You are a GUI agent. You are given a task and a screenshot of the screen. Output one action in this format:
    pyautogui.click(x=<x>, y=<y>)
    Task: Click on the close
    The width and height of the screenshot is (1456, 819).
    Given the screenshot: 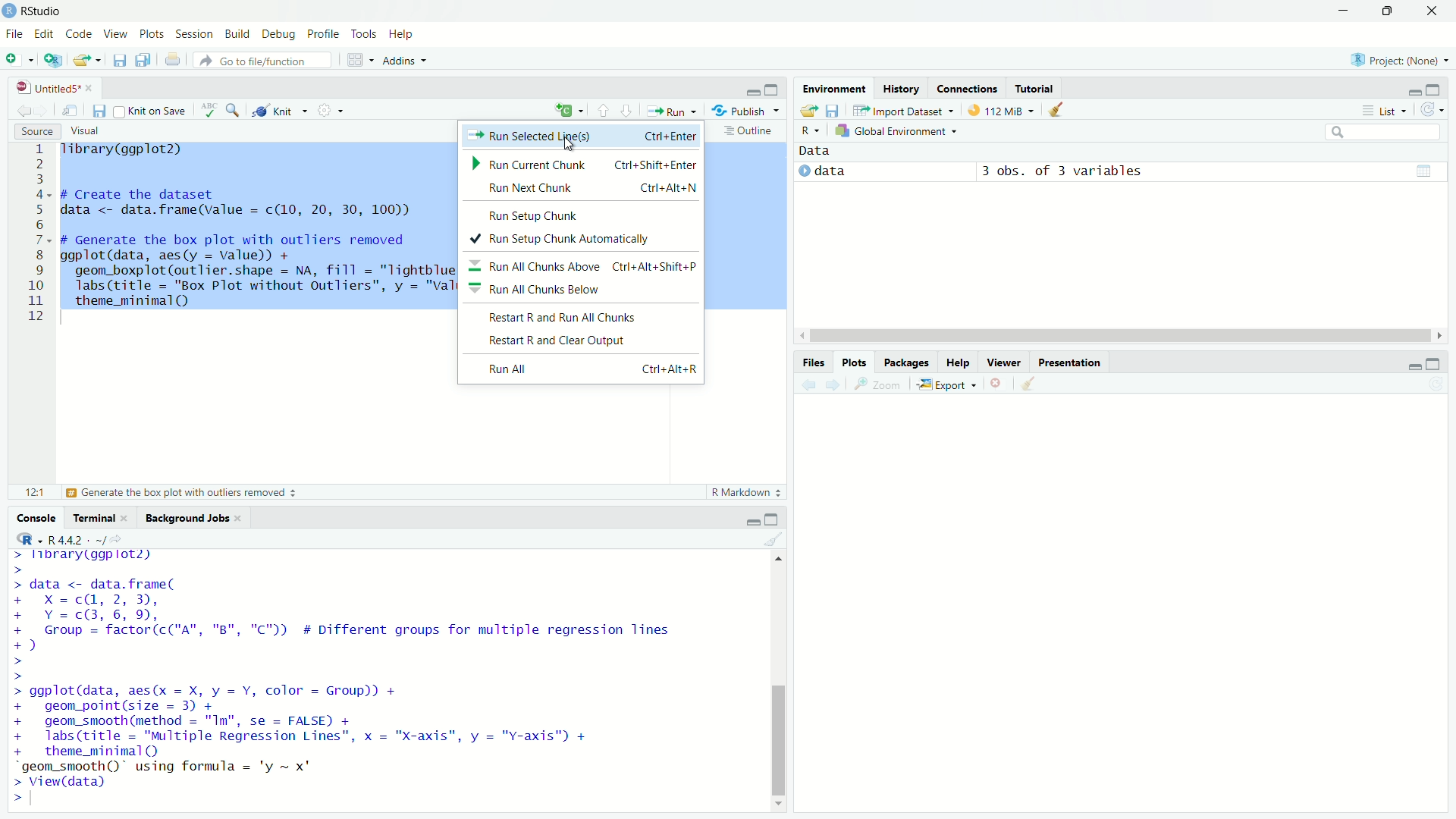 What is the action you would take?
    pyautogui.click(x=1437, y=13)
    